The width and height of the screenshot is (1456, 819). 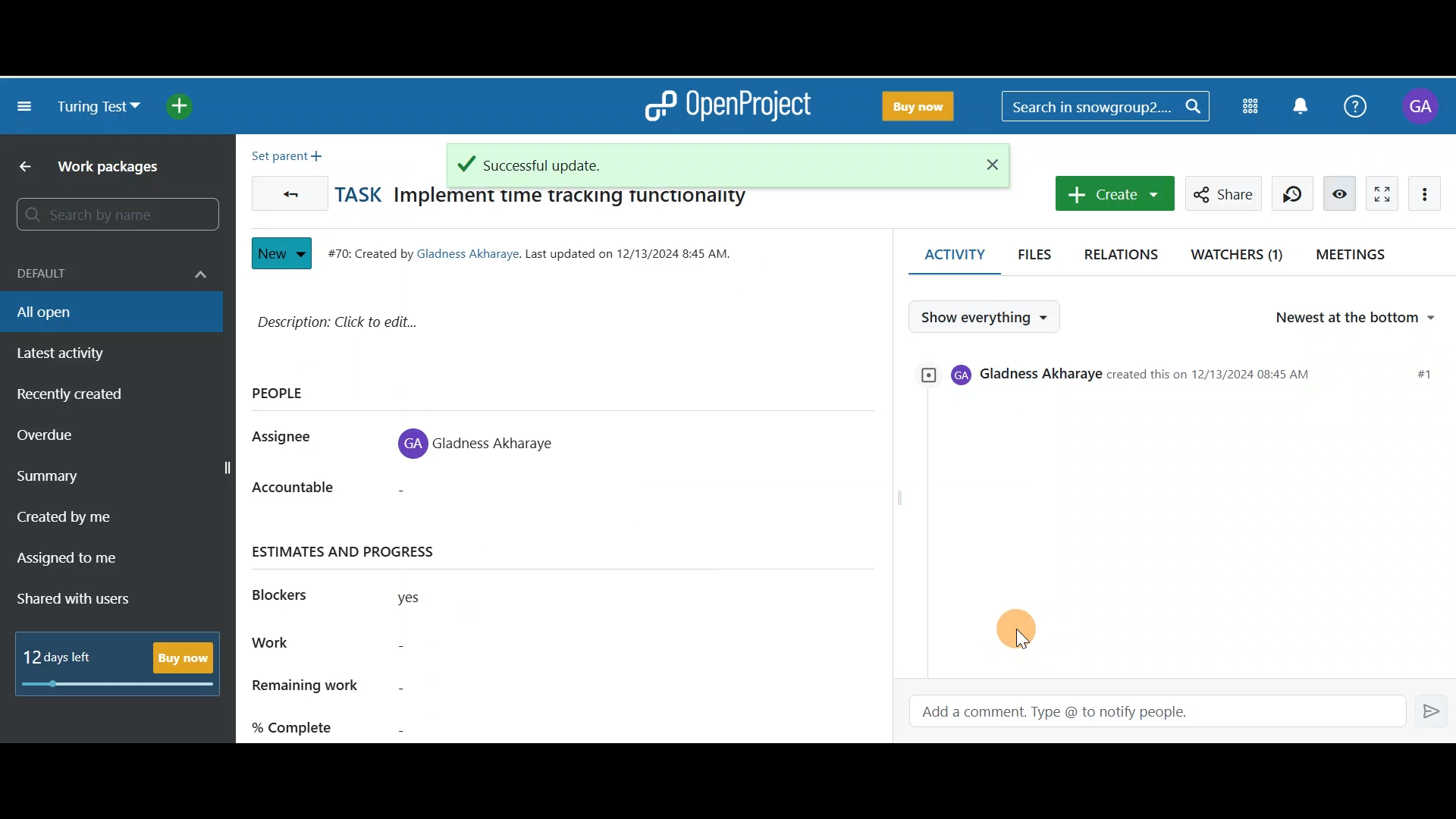 What do you see at coordinates (101, 398) in the screenshot?
I see `Recently created` at bounding box center [101, 398].